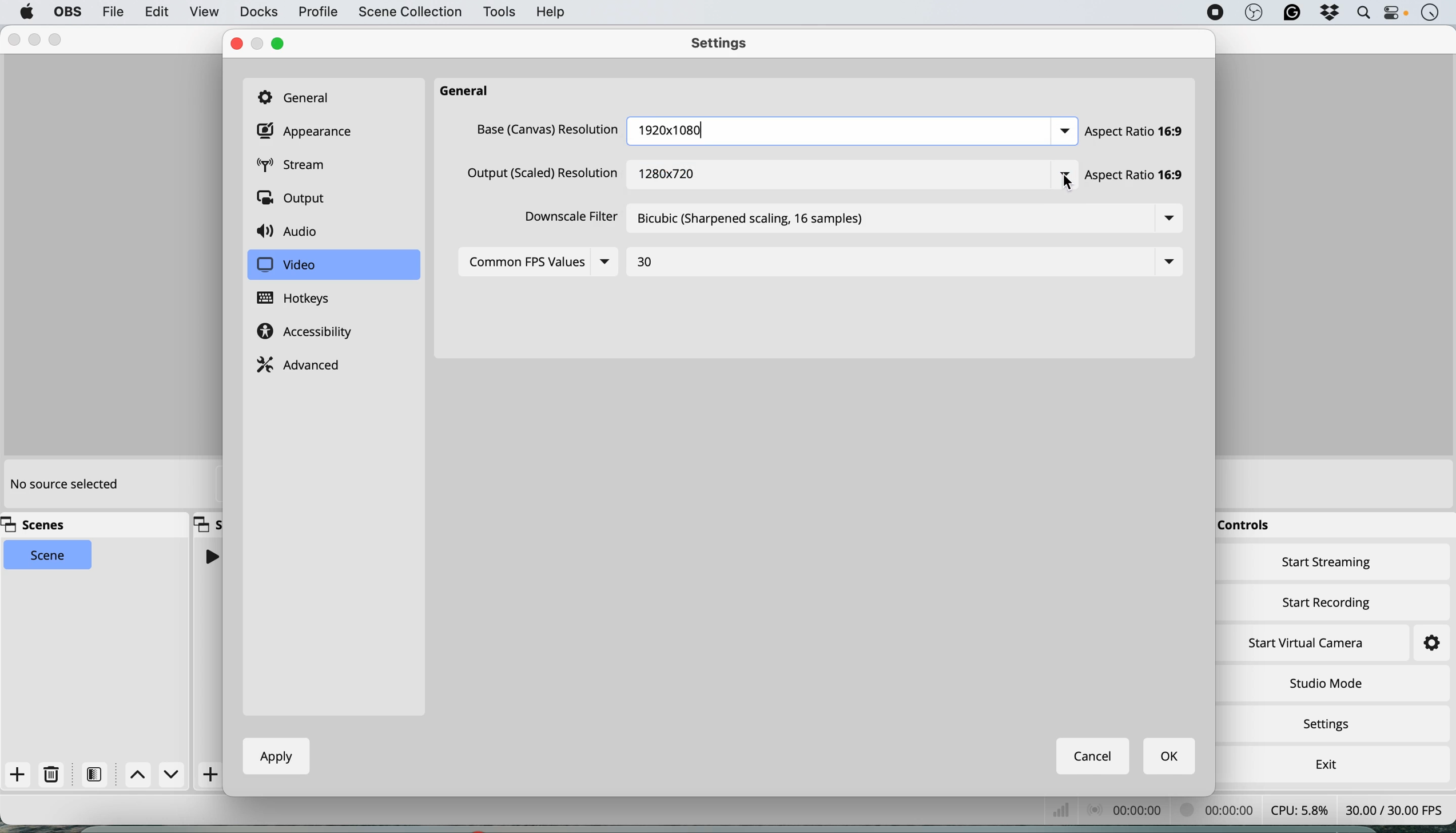  I want to click on video recording timestamp, so click(1220, 812).